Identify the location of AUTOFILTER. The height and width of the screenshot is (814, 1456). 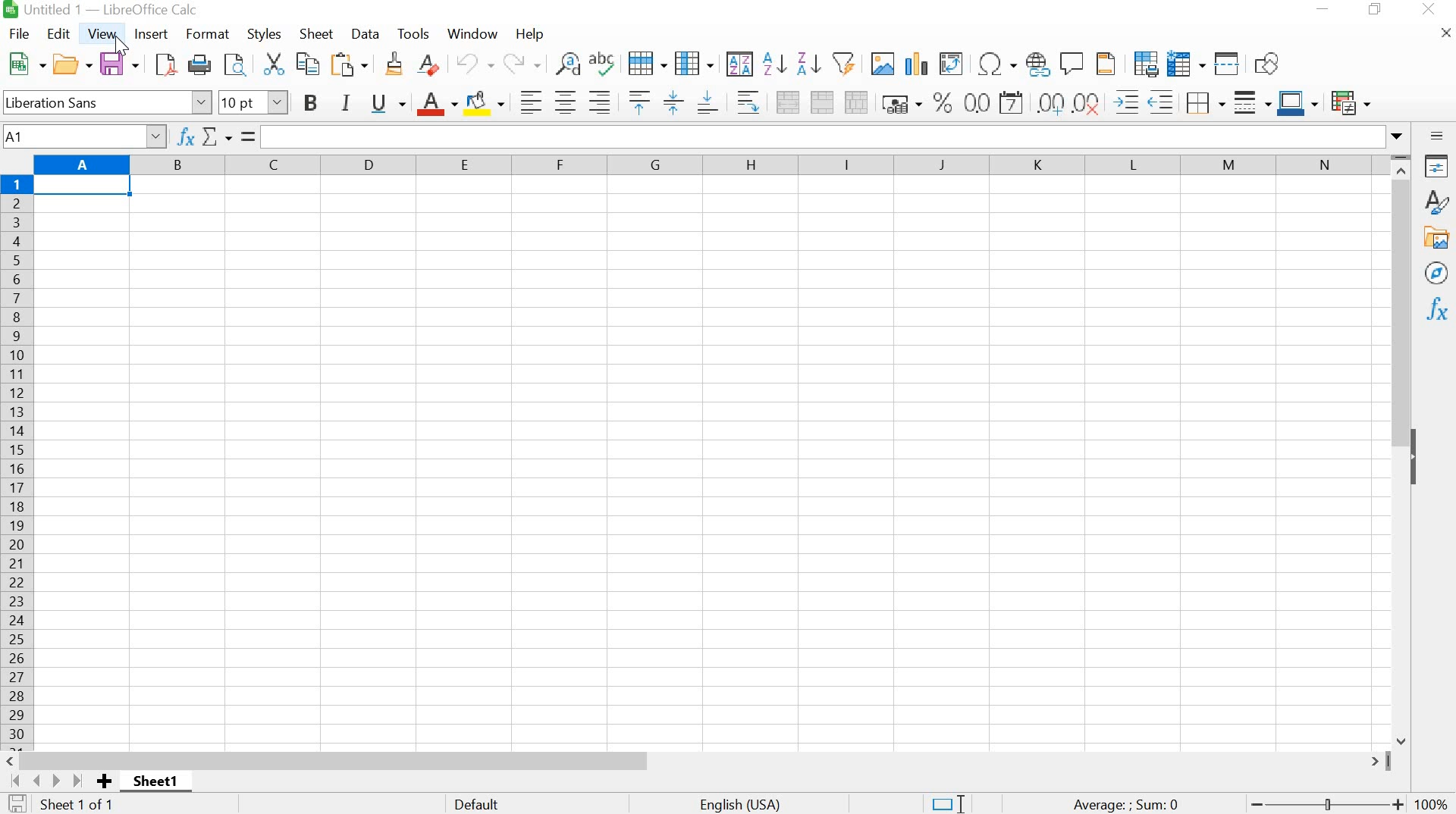
(843, 61).